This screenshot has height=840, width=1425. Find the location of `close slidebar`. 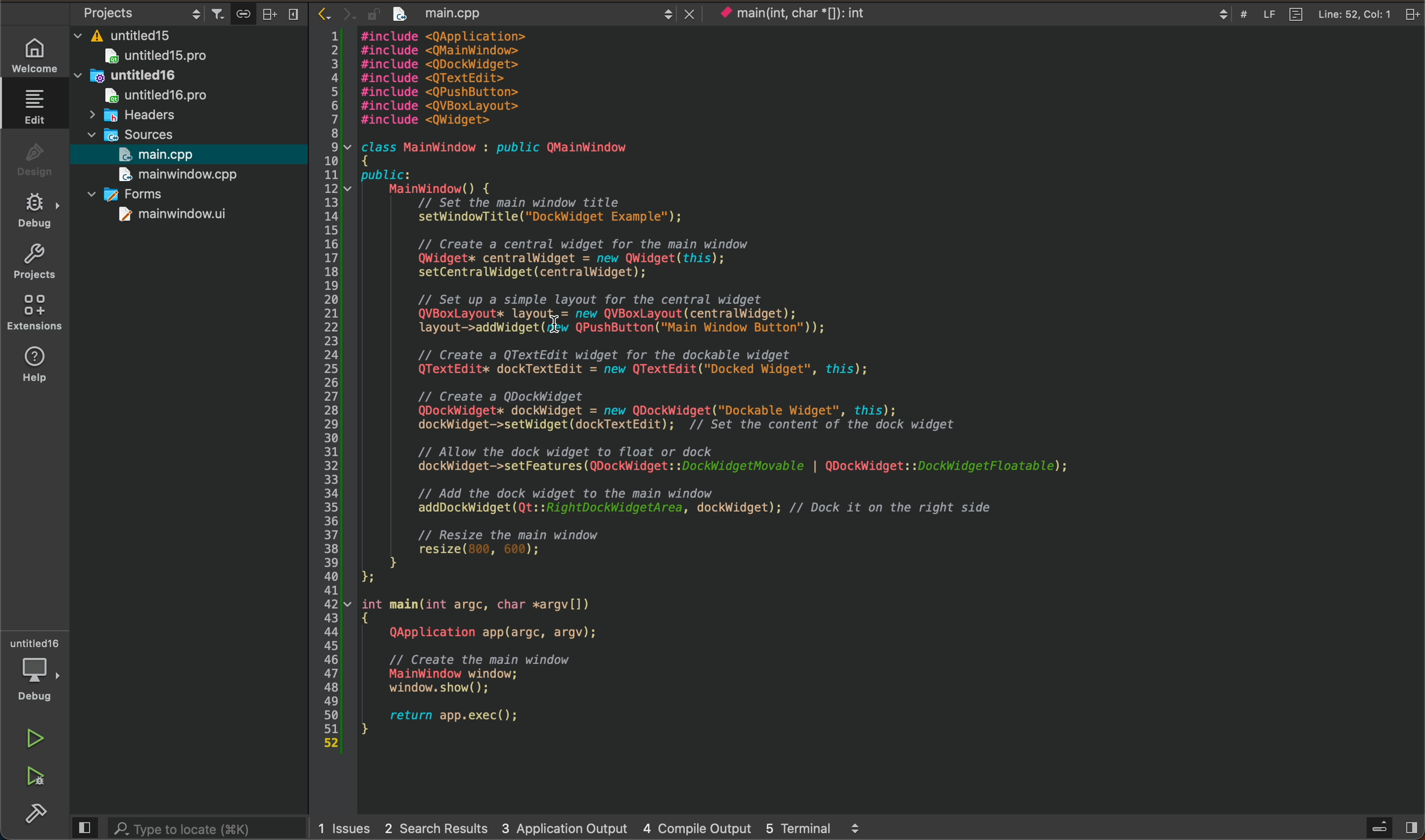

close slidebar is located at coordinates (88, 824).